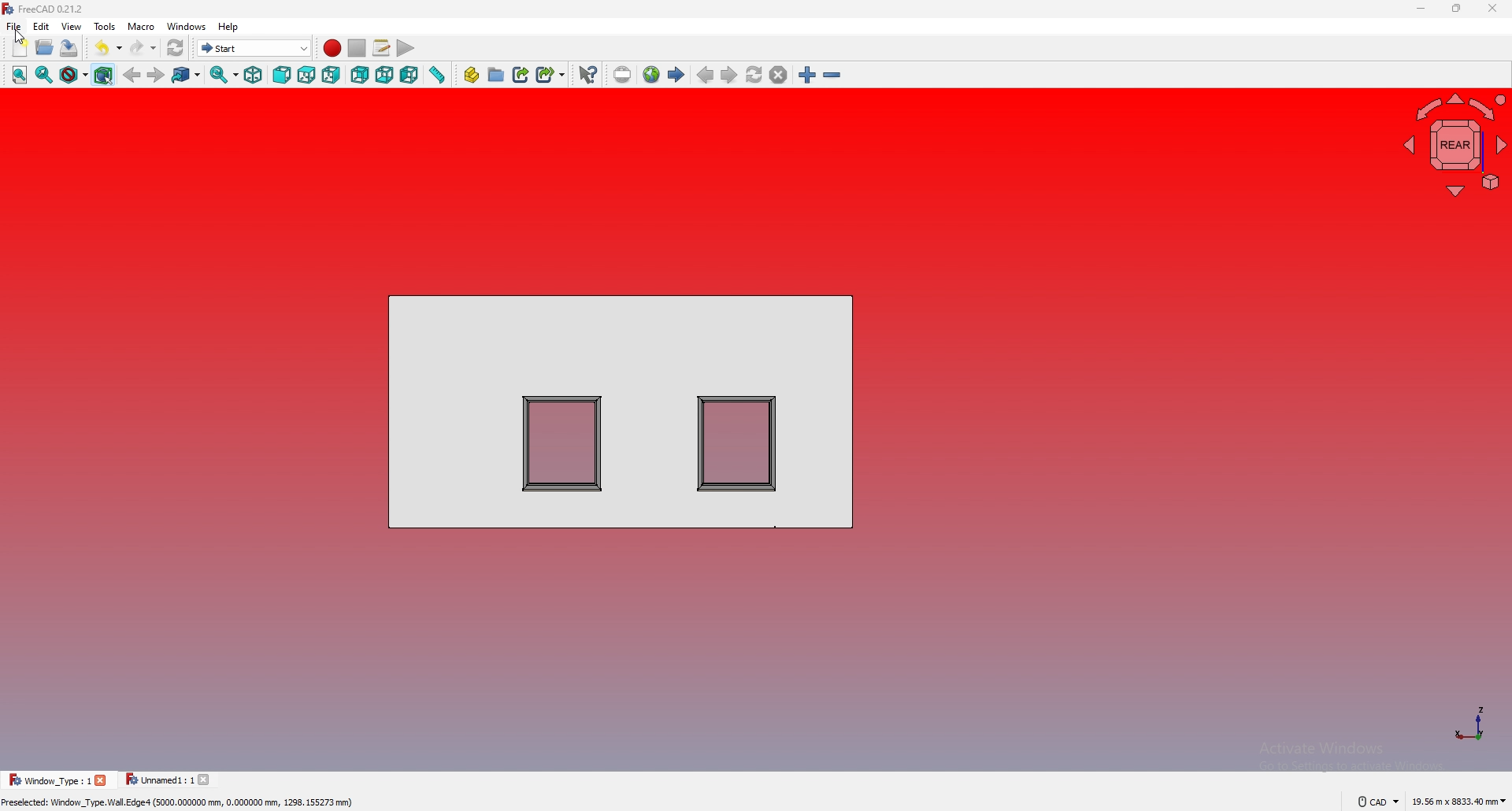 This screenshot has height=811, width=1512. I want to click on fit all, so click(20, 74).